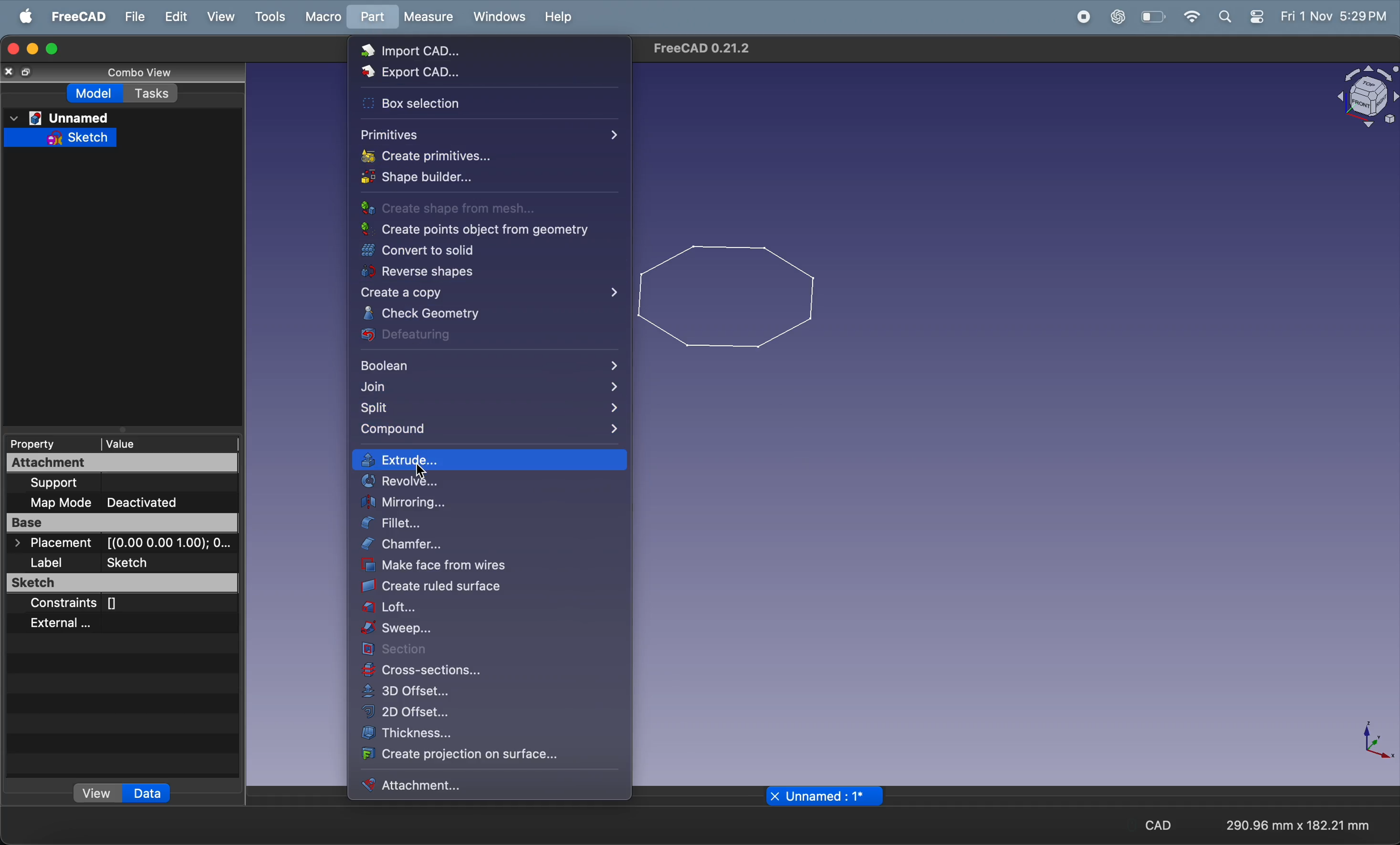  Describe the element at coordinates (485, 295) in the screenshot. I see `create a copy` at that location.